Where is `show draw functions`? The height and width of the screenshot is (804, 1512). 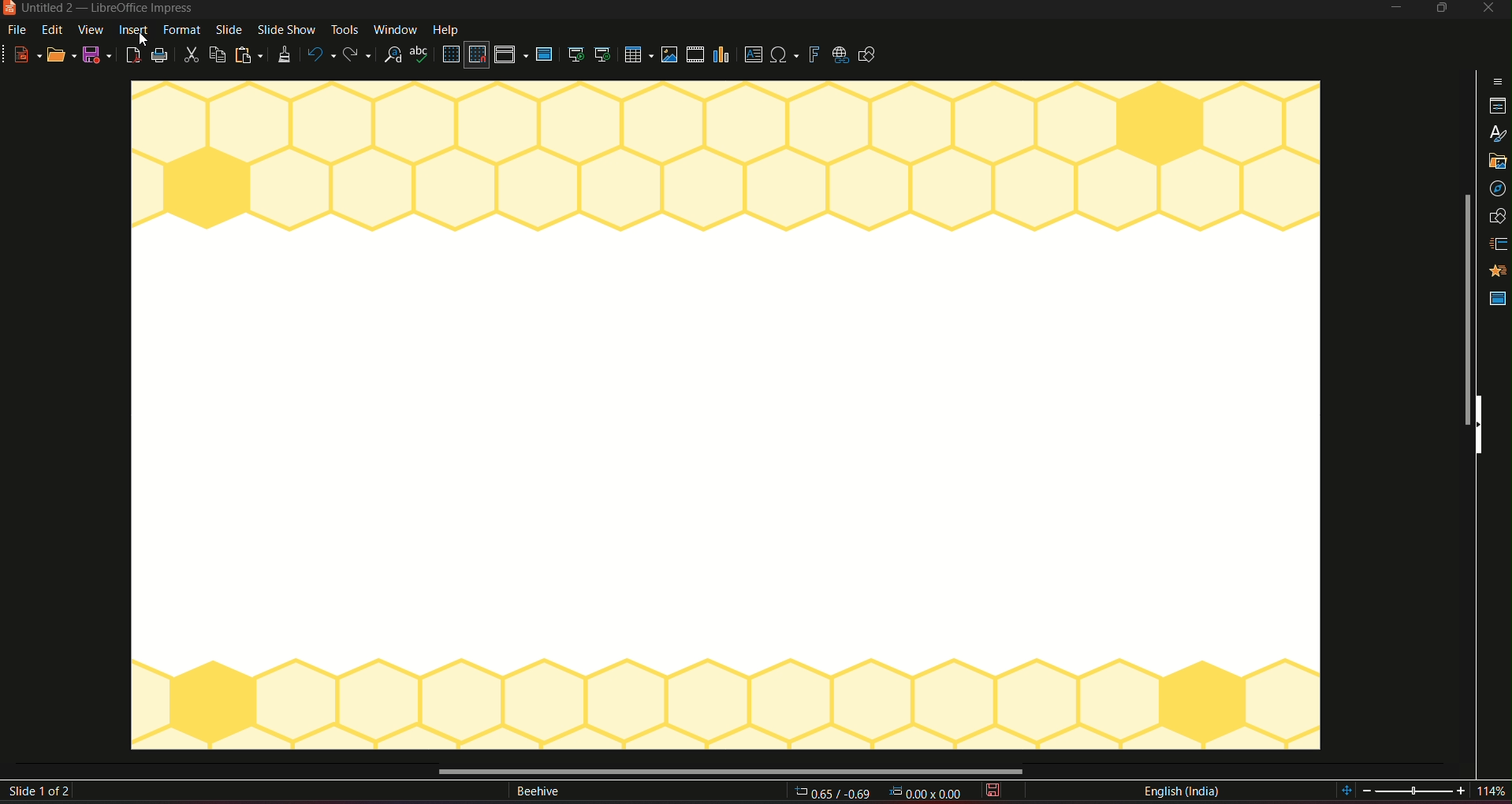
show draw functions is located at coordinates (872, 56).